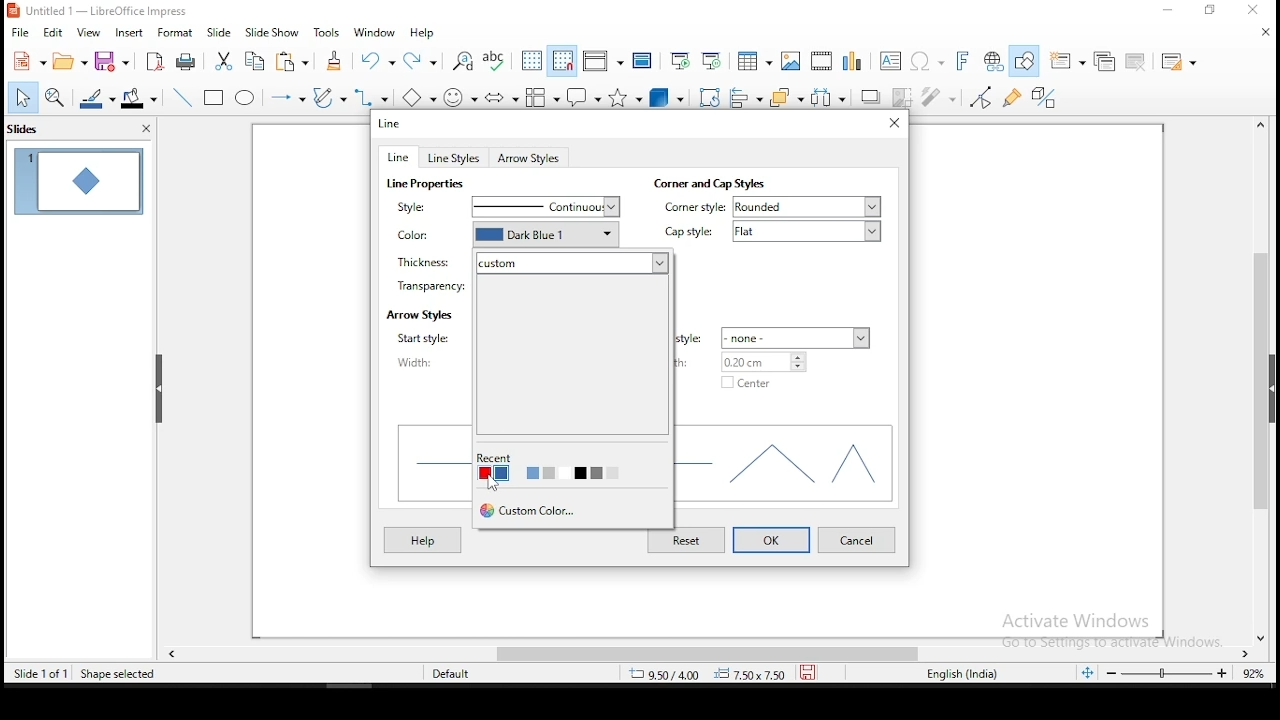 This screenshot has height=720, width=1280. Describe the element at coordinates (983, 97) in the screenshot. I see `toggle point edit mode` at that location.